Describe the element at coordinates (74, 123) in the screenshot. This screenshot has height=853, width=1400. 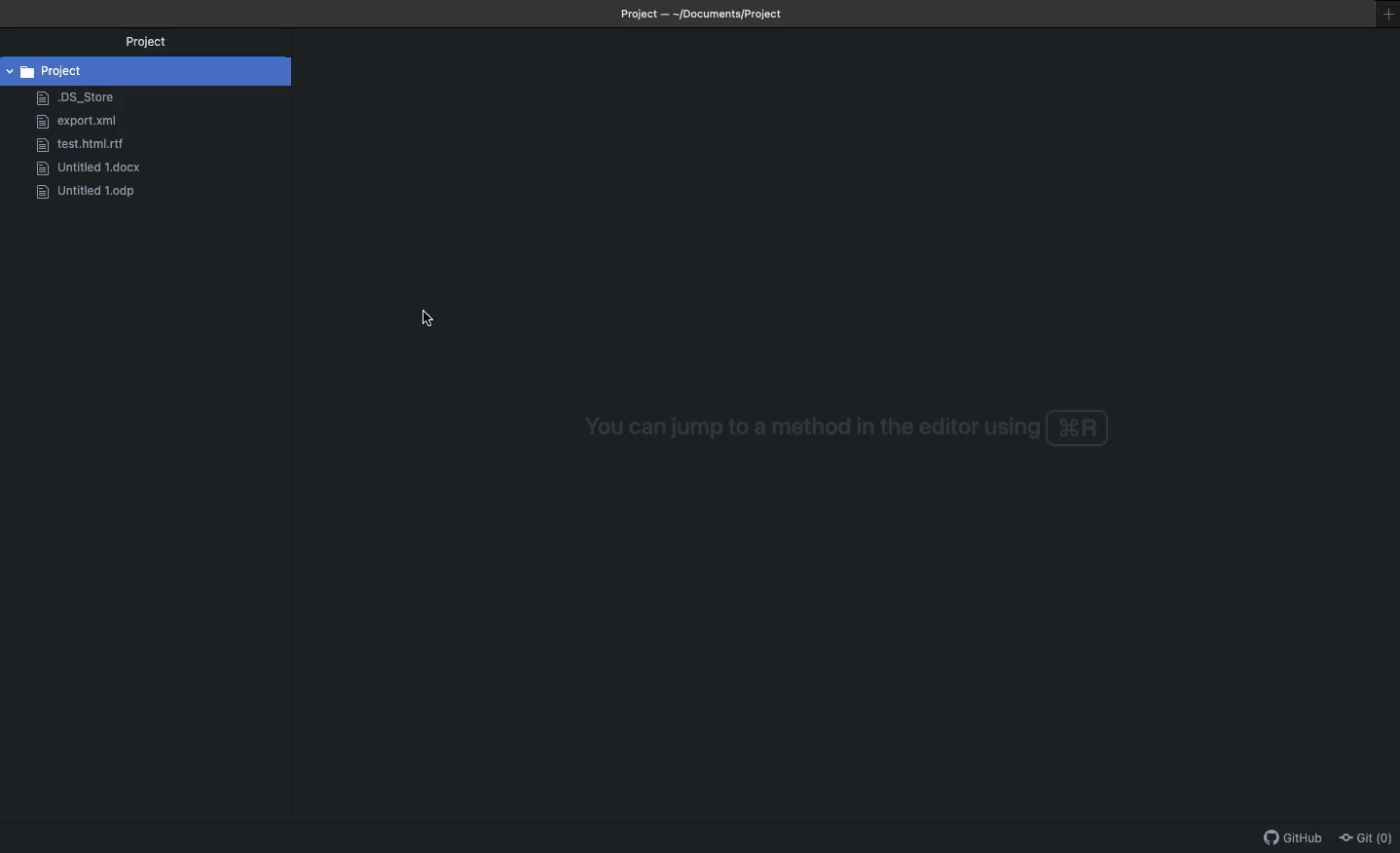
I see `xml` at that location.